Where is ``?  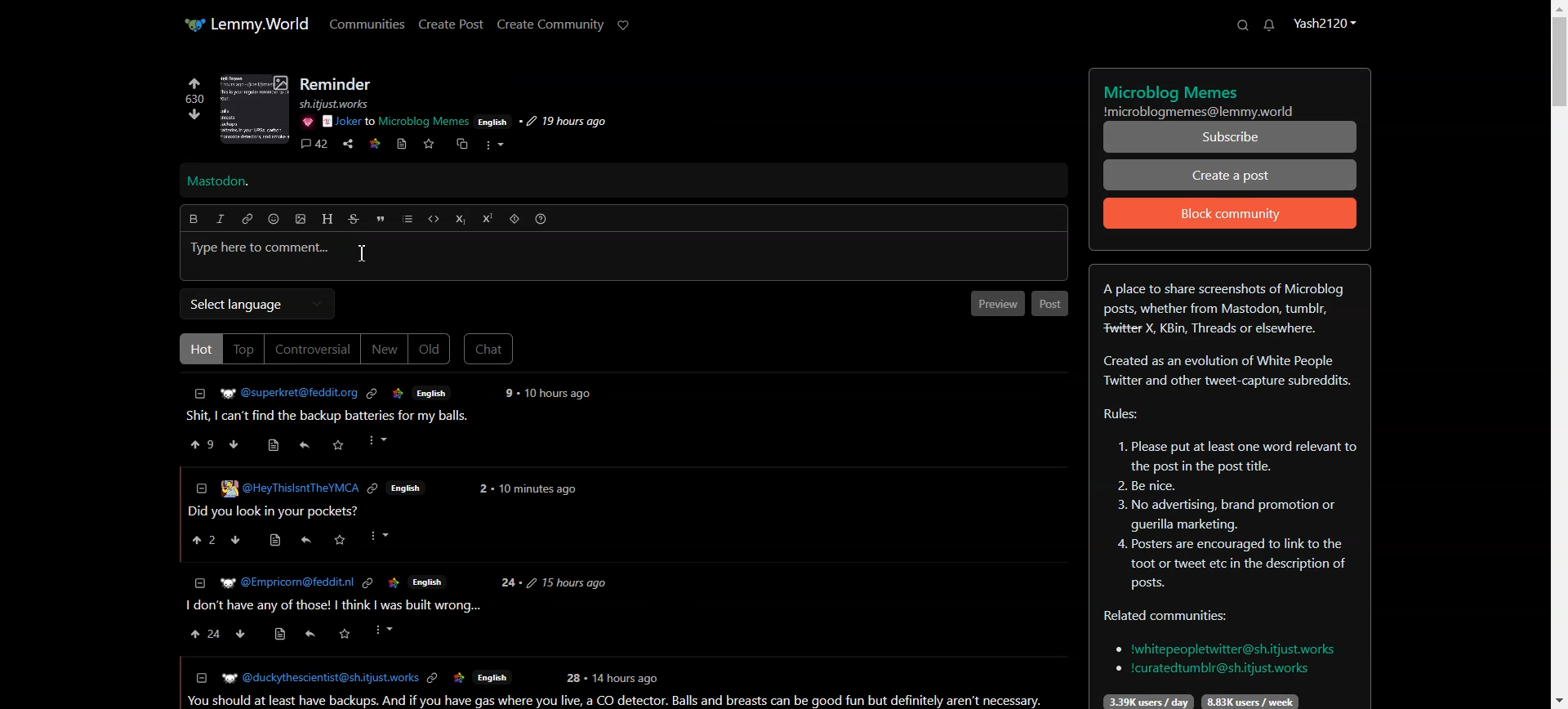  is located at coordinates (341, 541).